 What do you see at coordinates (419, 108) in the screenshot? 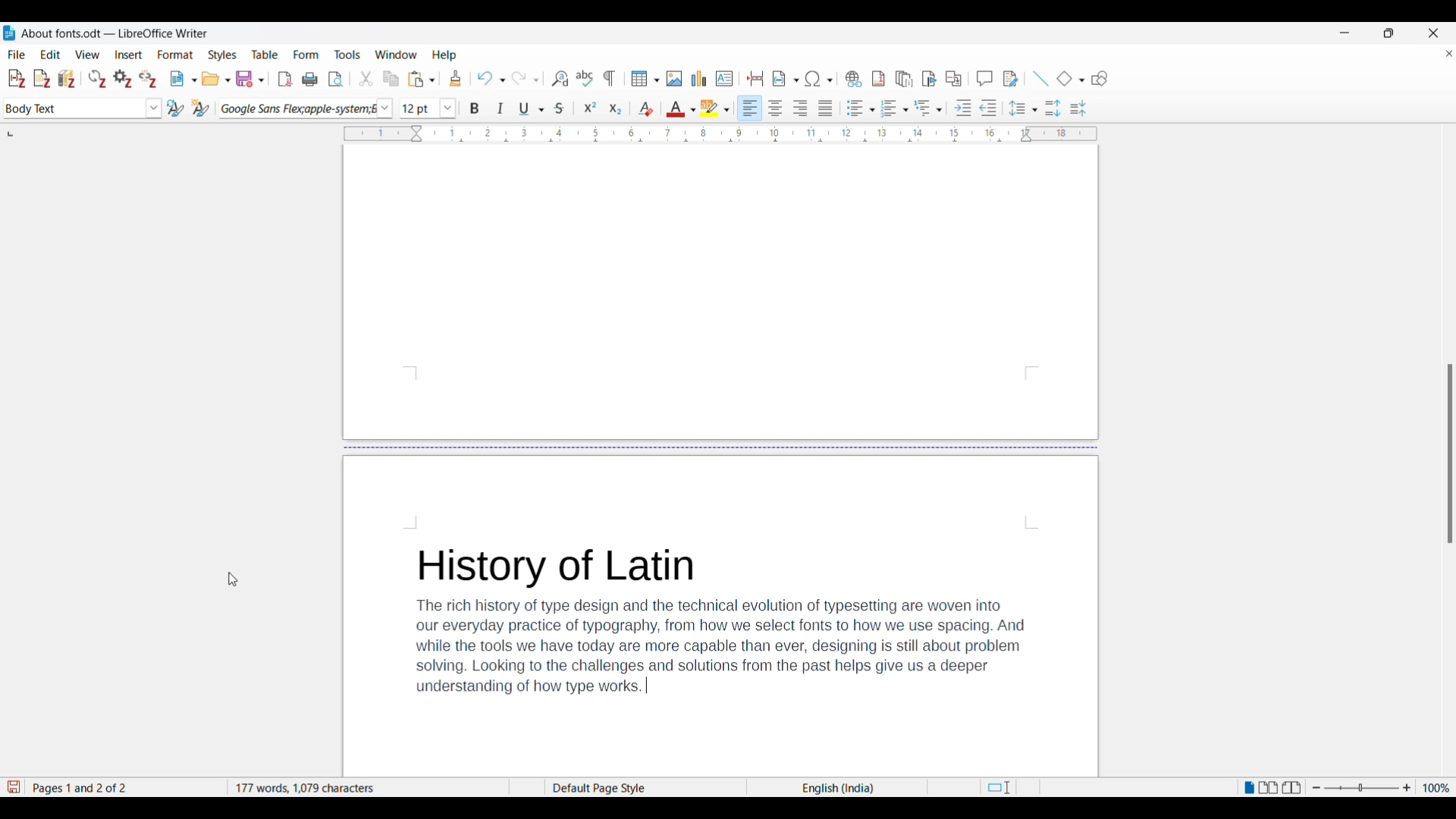
I see `Input font` at bounding box center [419, 108].